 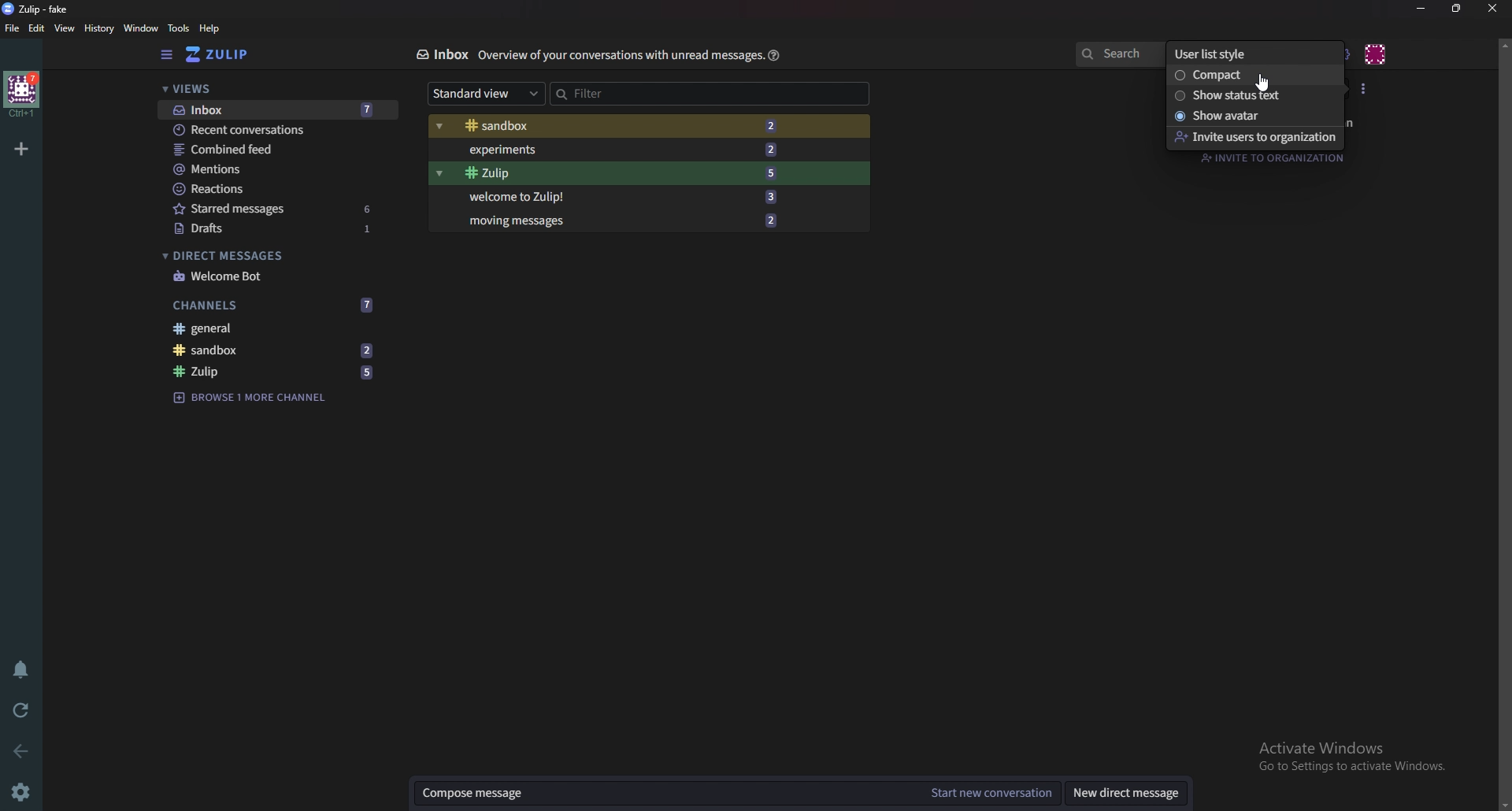 What do you see at coordinates (1254, 137) in the screenshot?
I see `invite user to organization` at bounding box center [1254, 137].